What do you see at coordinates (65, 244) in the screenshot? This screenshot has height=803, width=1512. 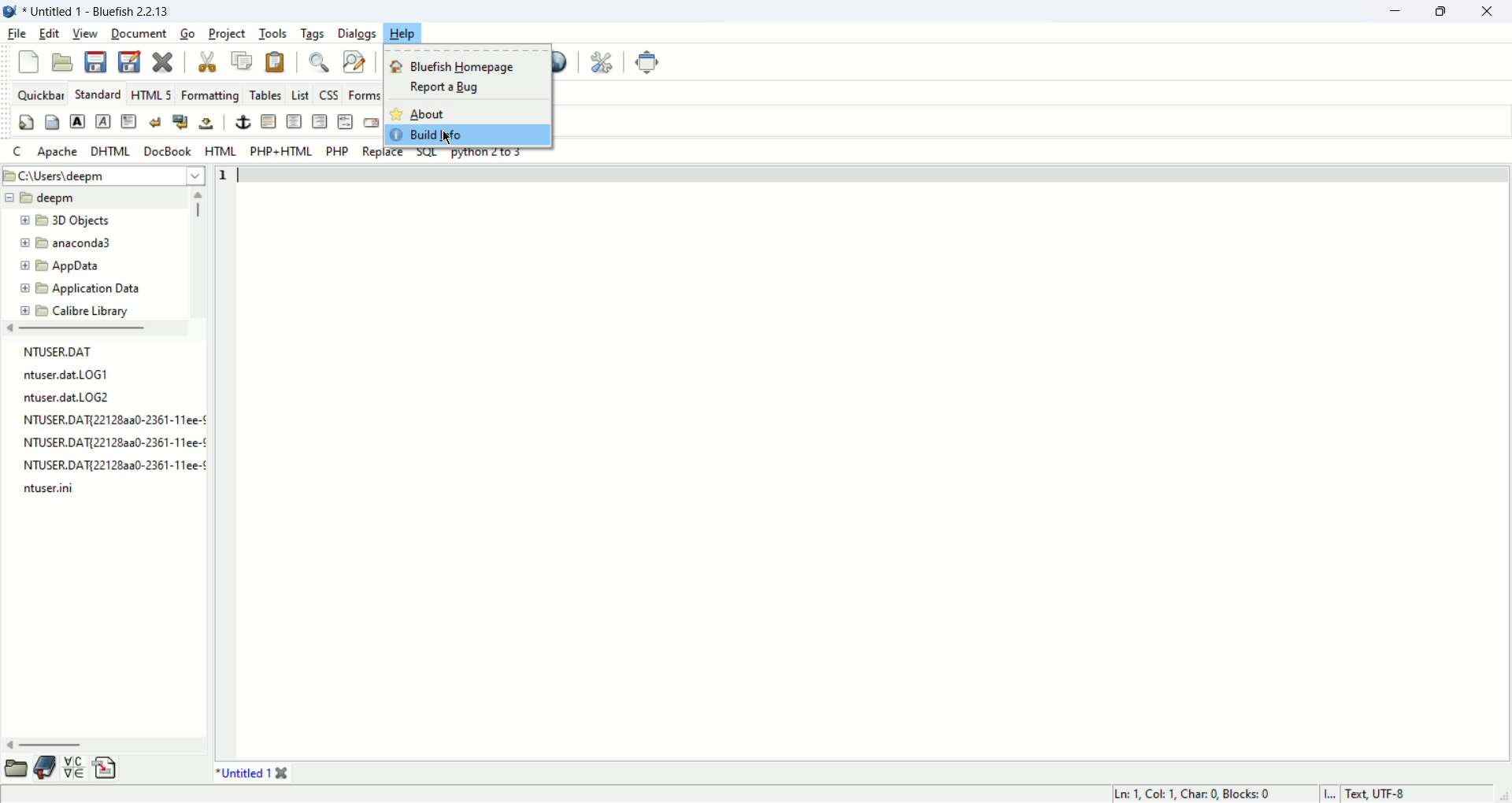 I see `folder name` at bounding box center [65, 244].